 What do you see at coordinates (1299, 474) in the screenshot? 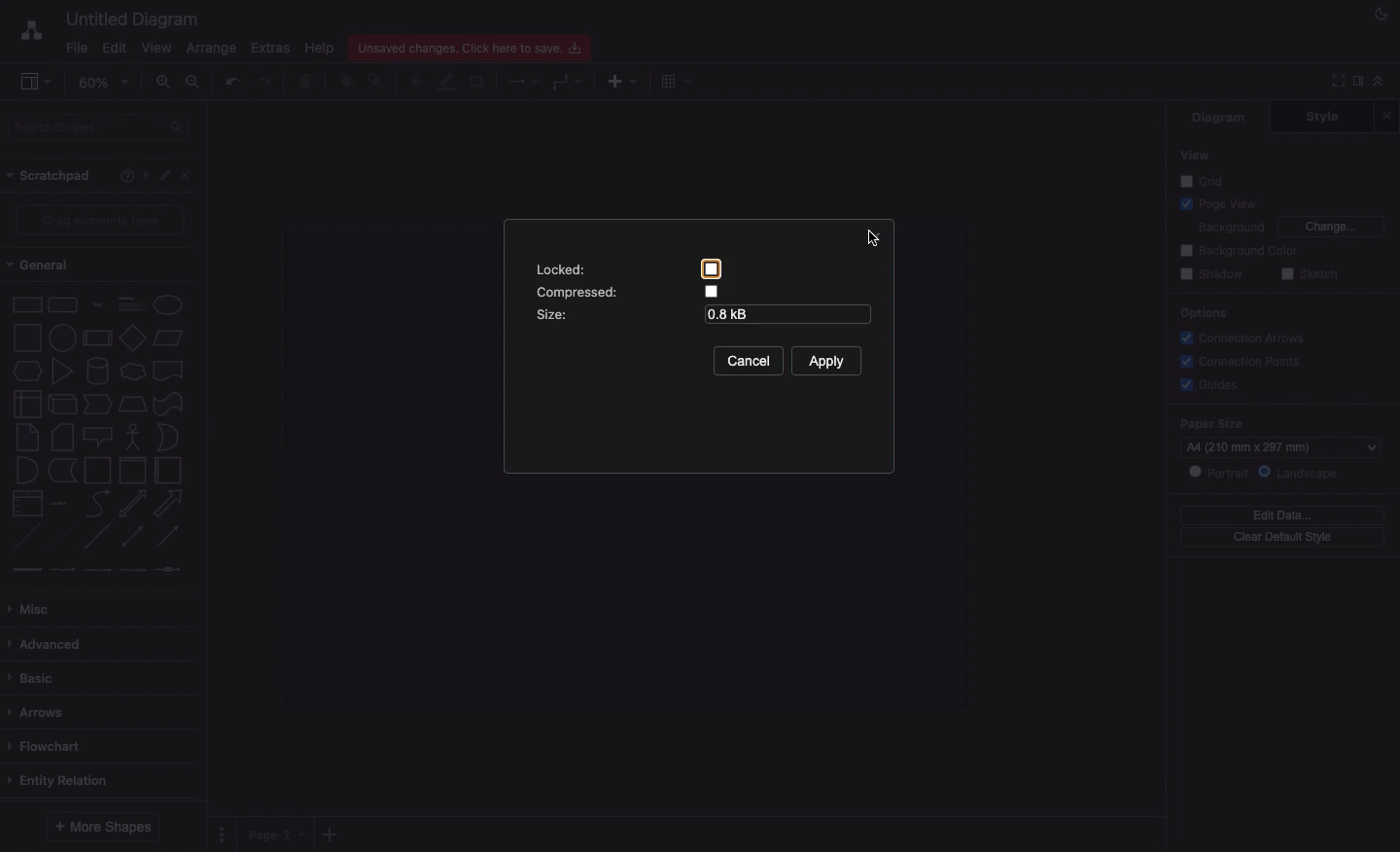
I see `Landscape` at bounding box center [1299, 474].